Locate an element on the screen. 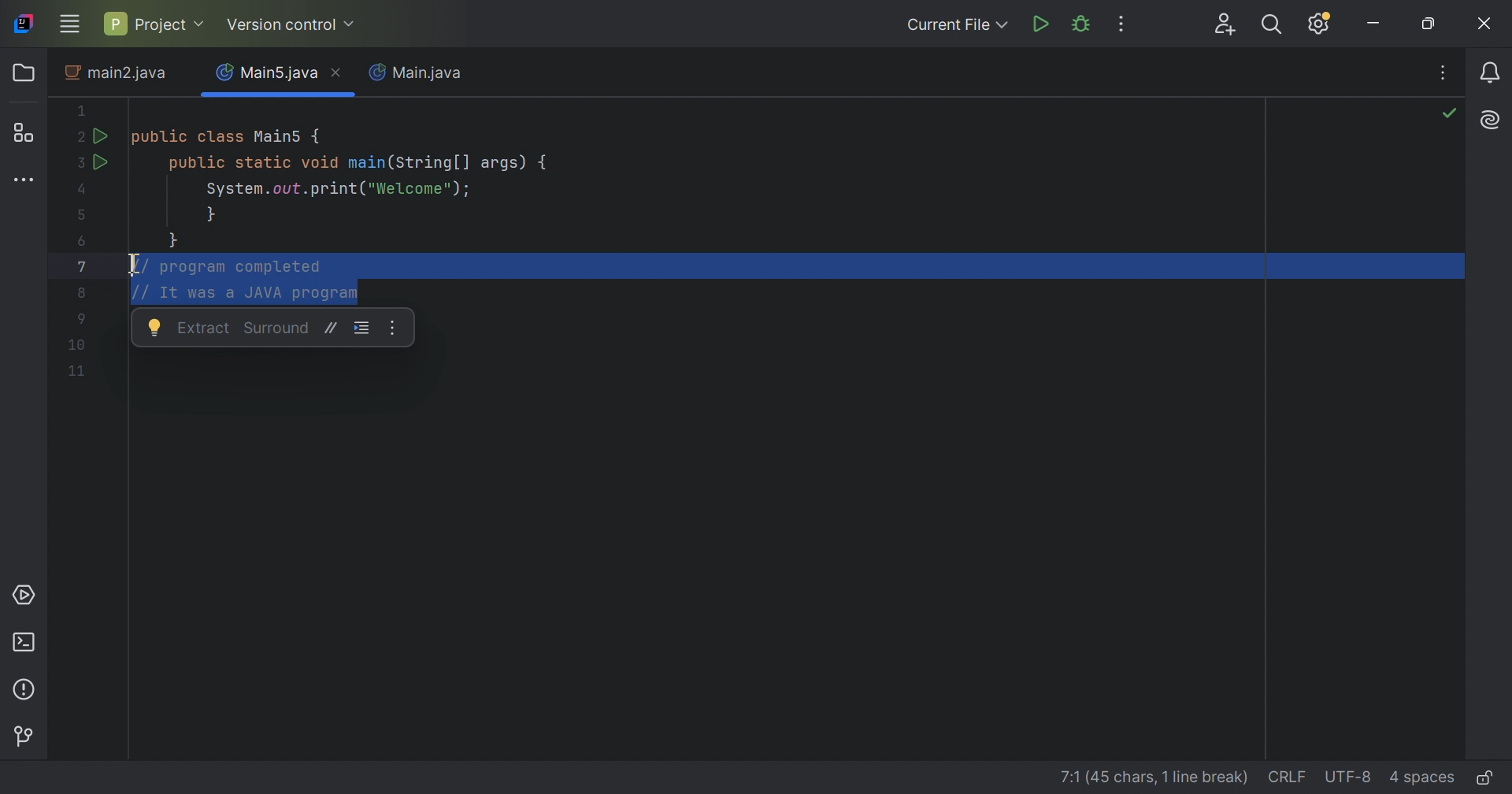  Project is located at coordinates (156, 21).